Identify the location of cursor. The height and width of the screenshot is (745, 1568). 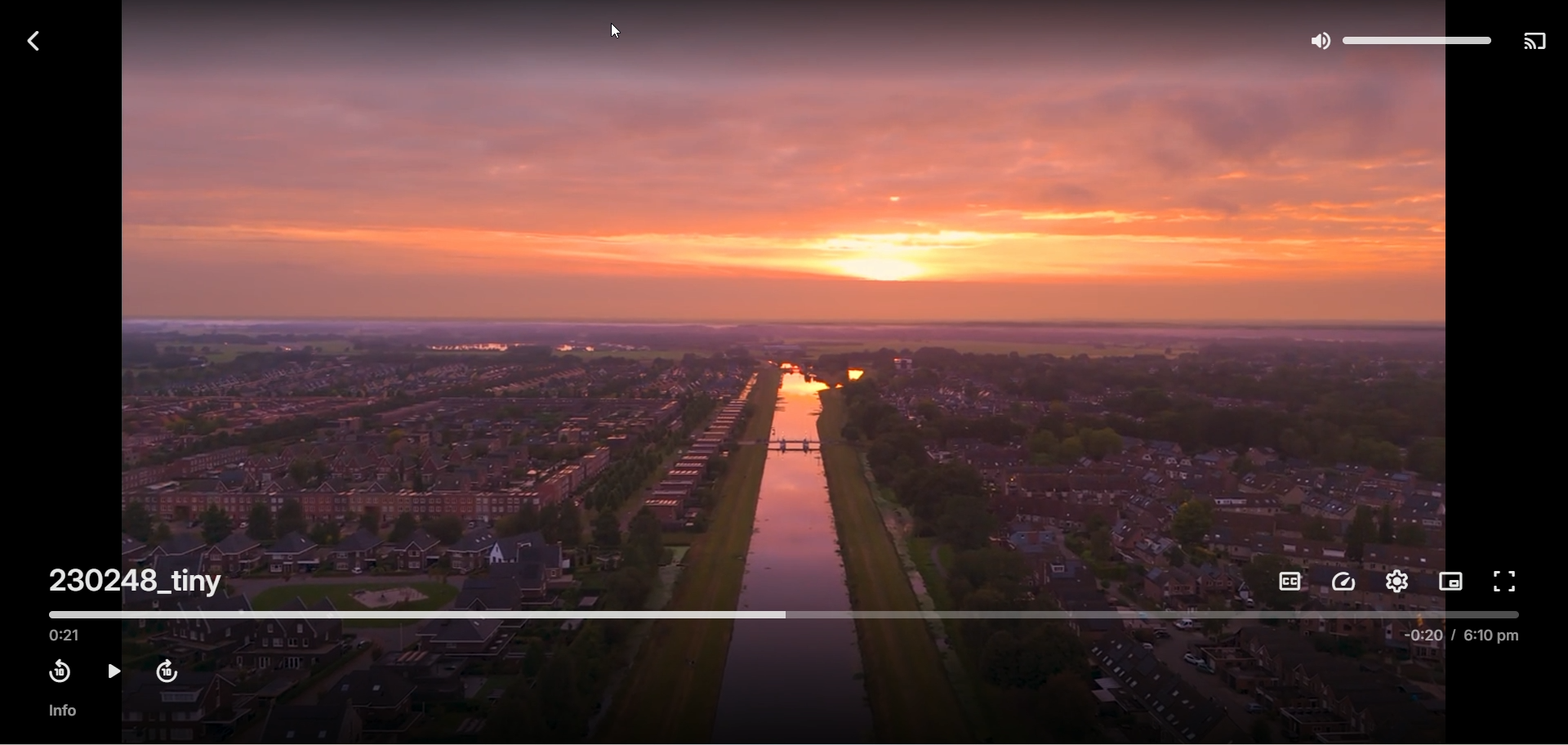
(609, 35).